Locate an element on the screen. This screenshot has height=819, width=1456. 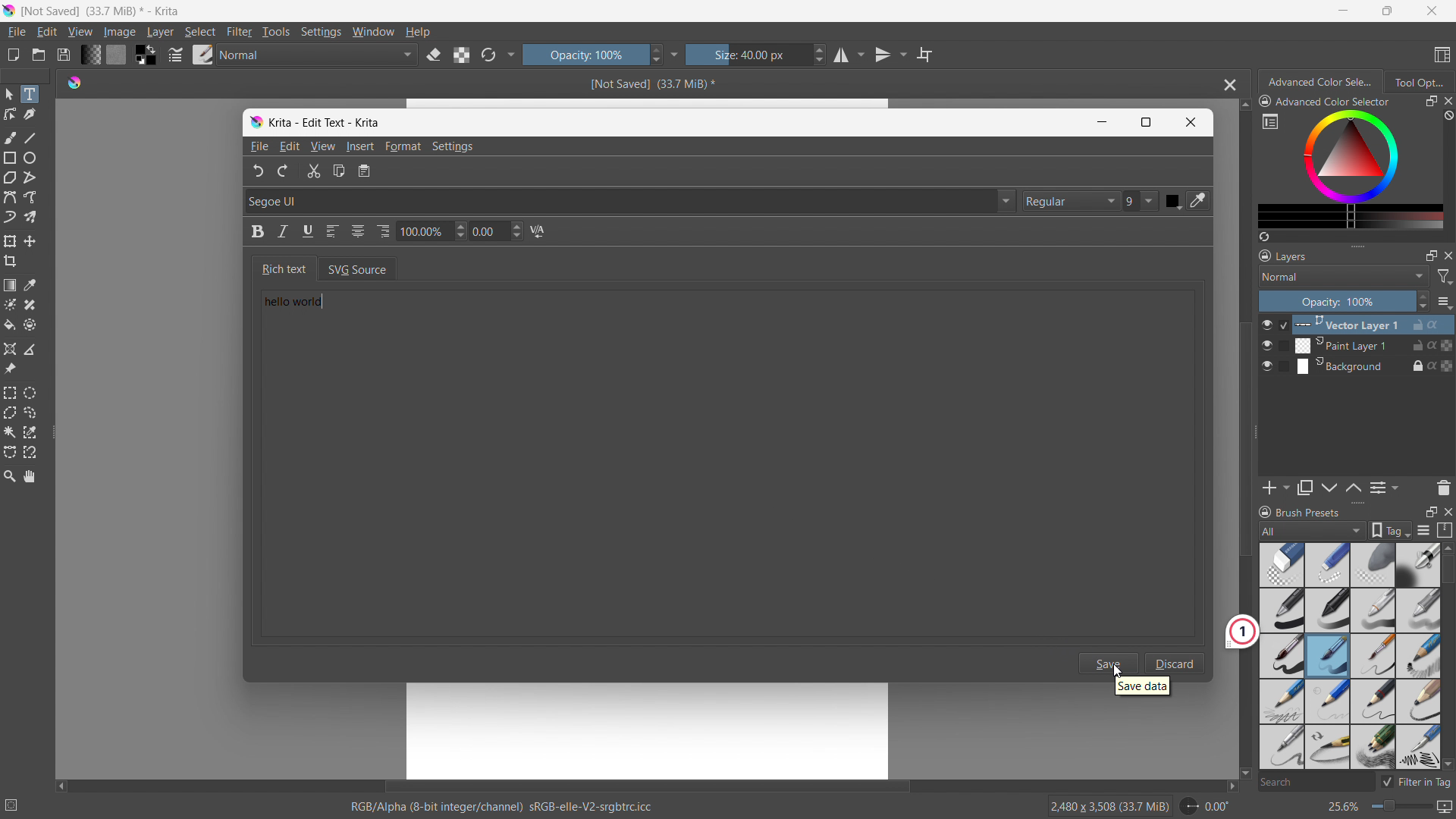
vertical mirror tool is located at coordinates (888, 55).